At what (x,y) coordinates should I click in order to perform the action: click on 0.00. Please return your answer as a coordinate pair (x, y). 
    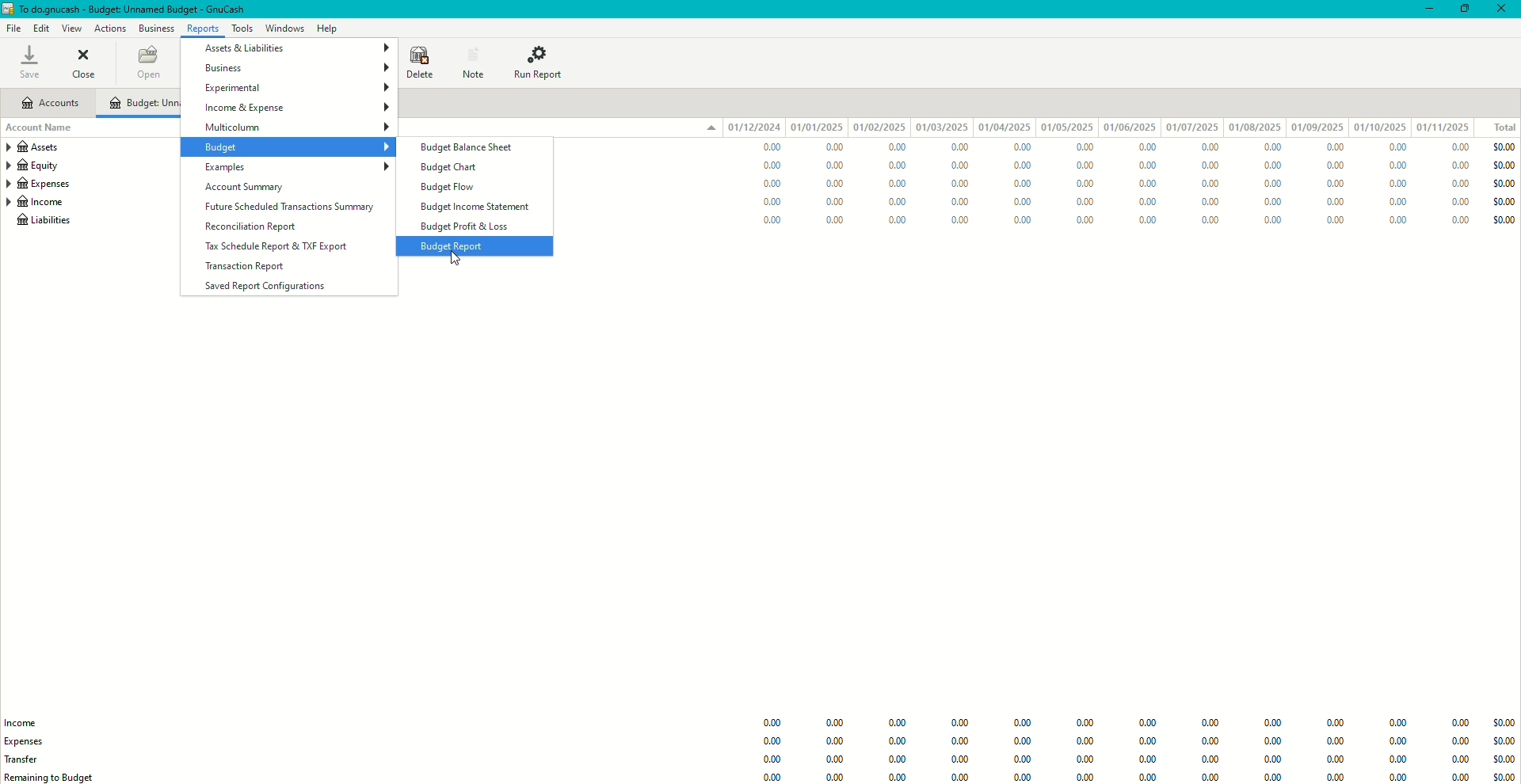
    Looking at the image, I should click on (959, 221).